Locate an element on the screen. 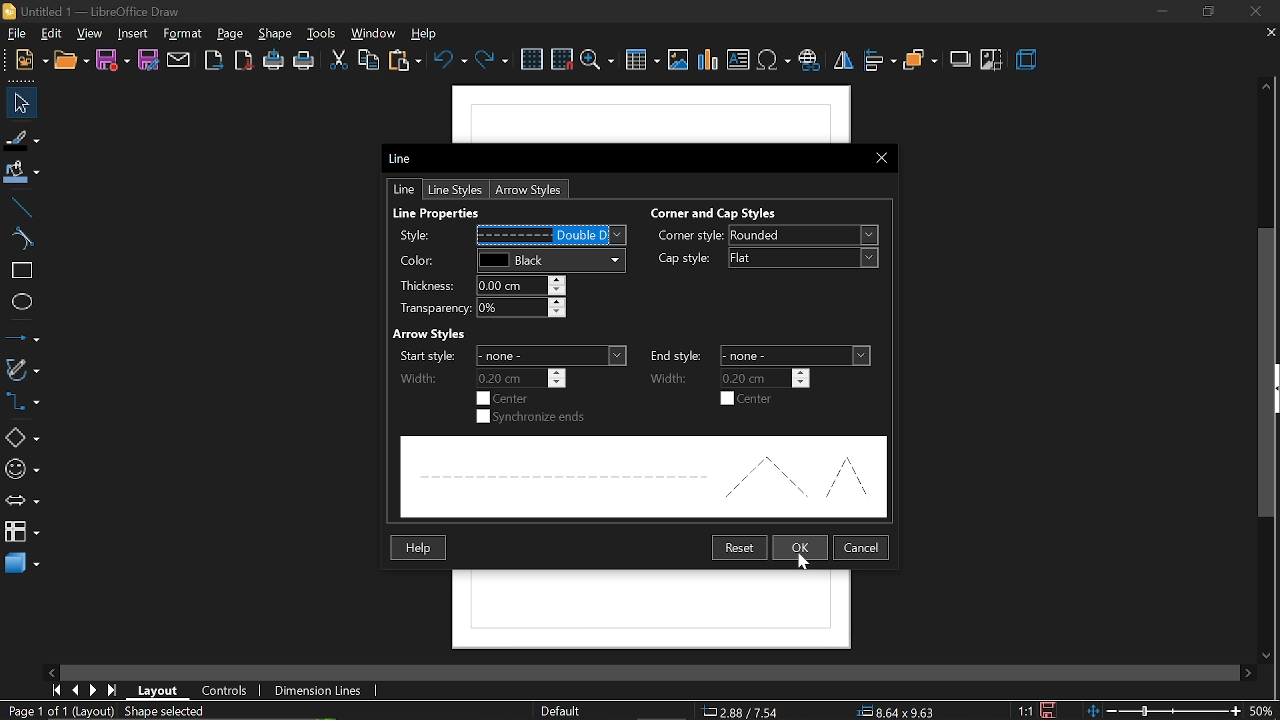  previous page is located at coordinates (77, 691).